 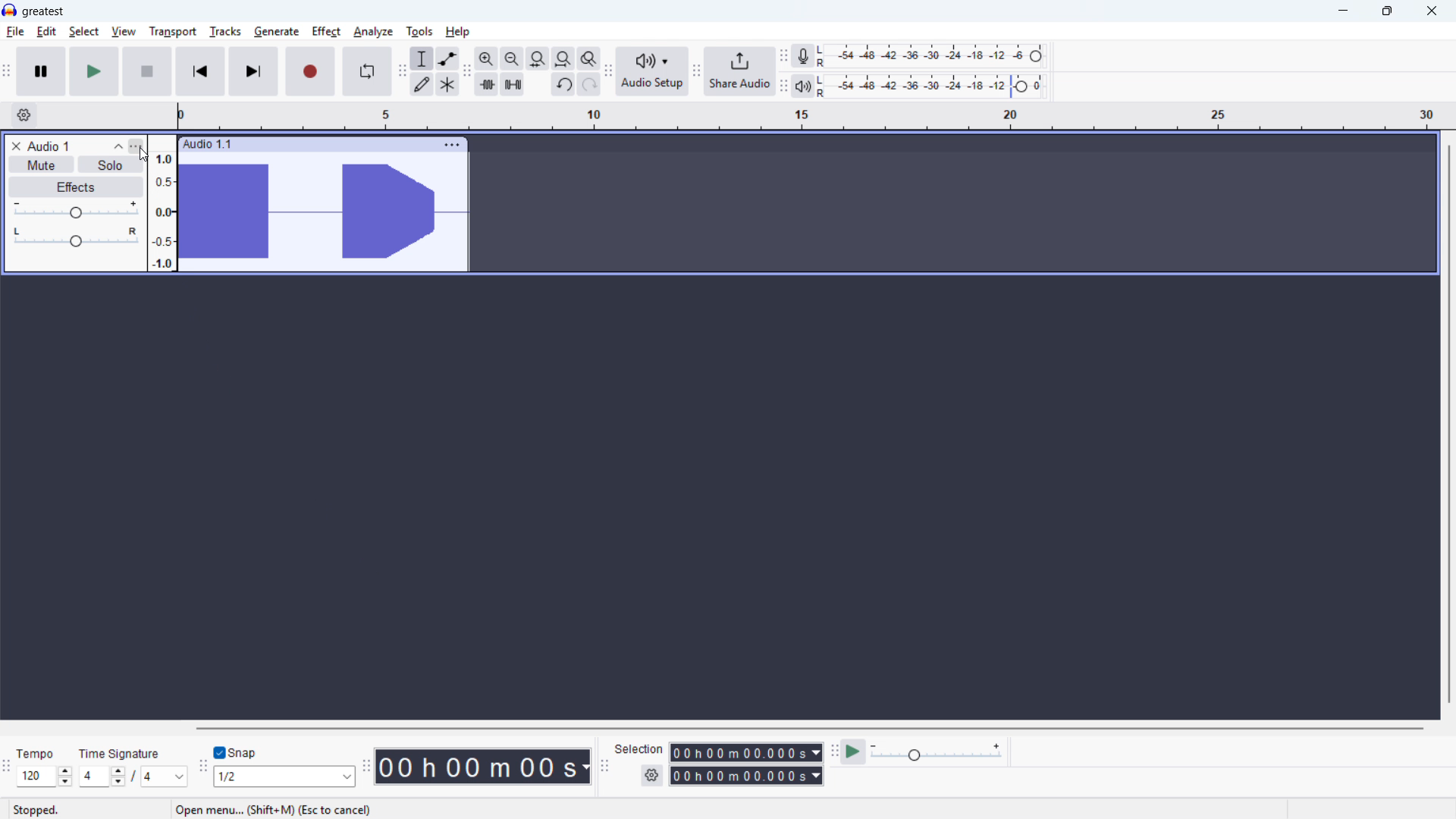 I want to click on tracks , so click(x=224, y=32).